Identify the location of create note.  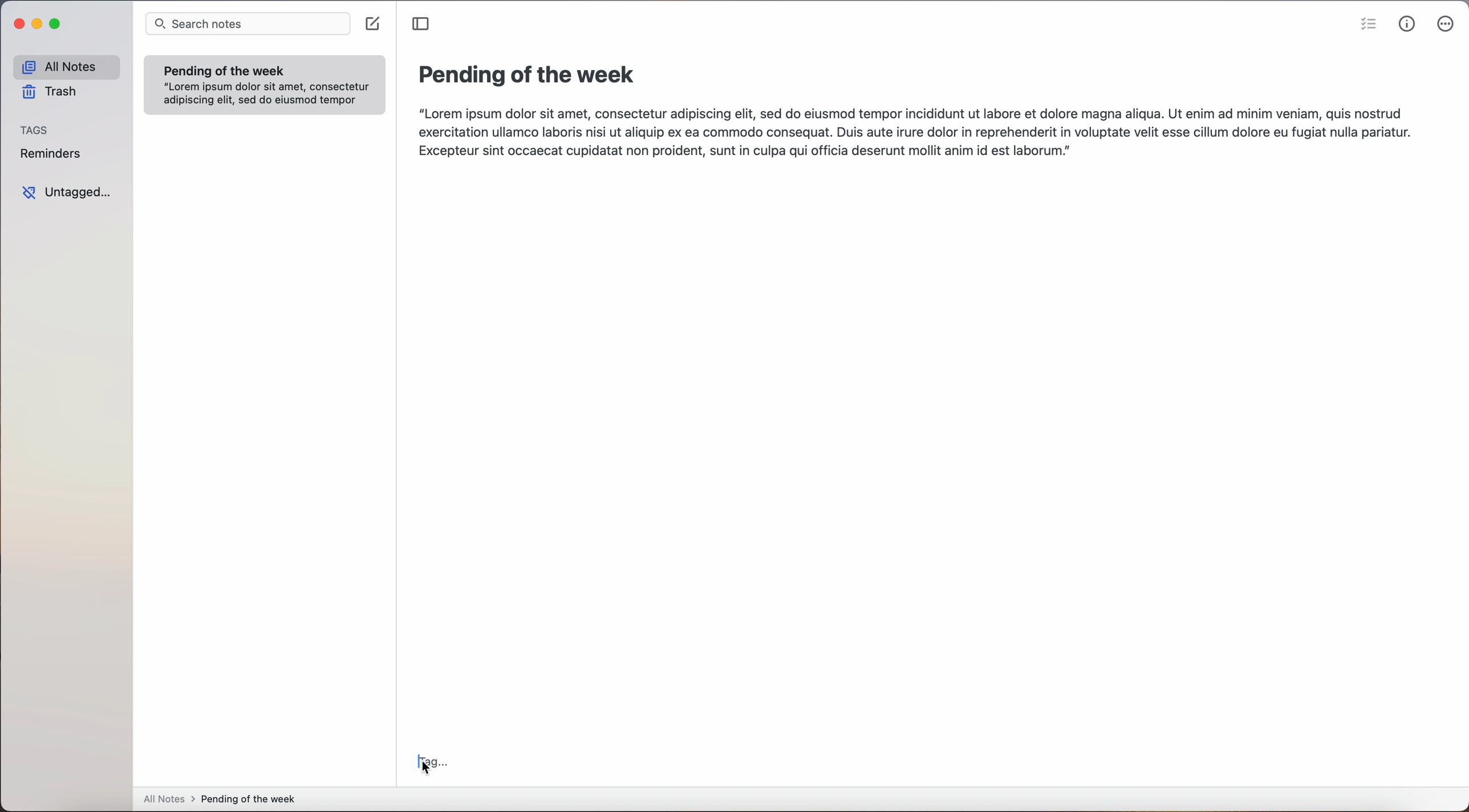
(375, 24).